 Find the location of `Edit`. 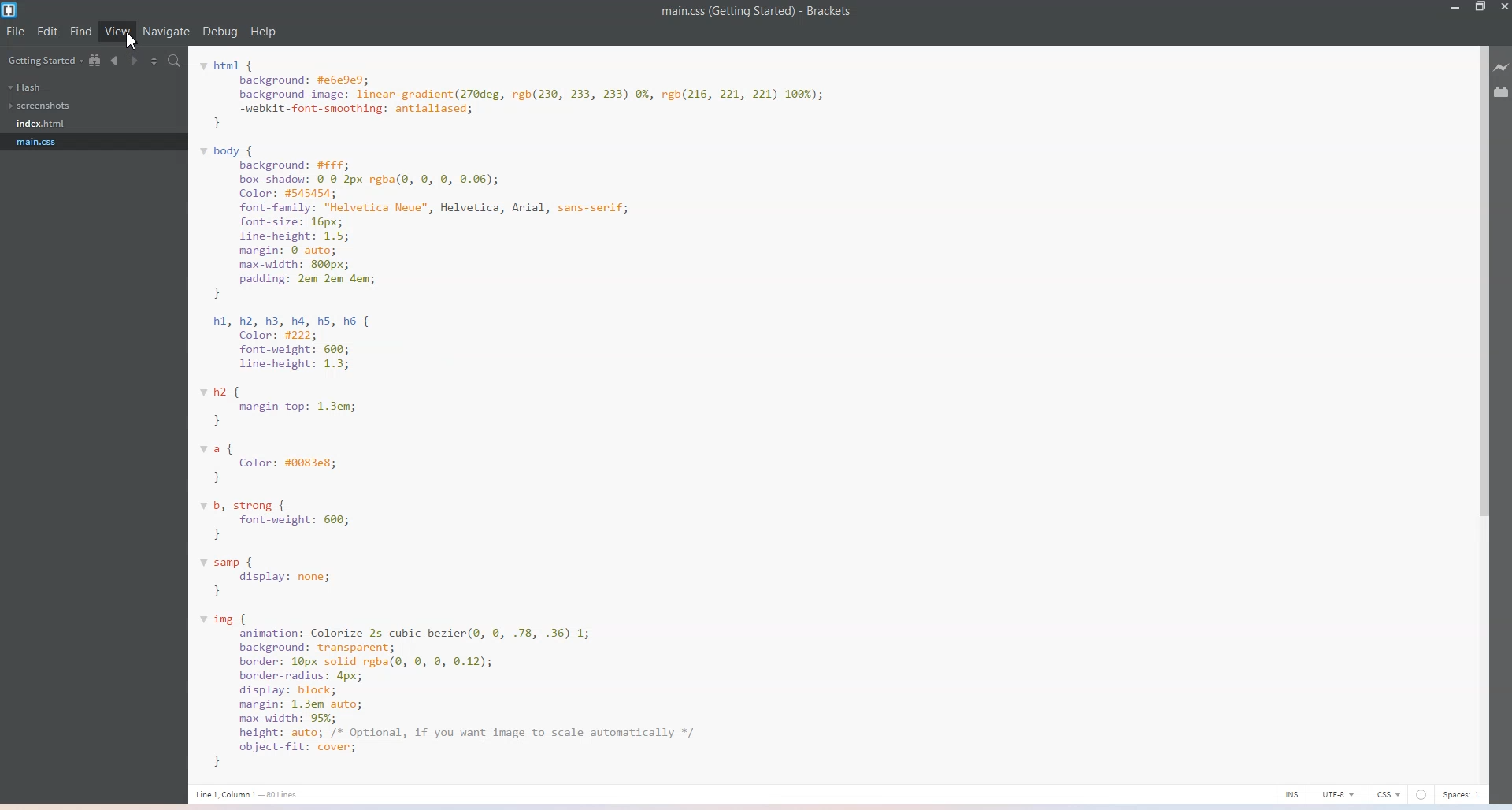

Edit is located at coordinates (47, 31).